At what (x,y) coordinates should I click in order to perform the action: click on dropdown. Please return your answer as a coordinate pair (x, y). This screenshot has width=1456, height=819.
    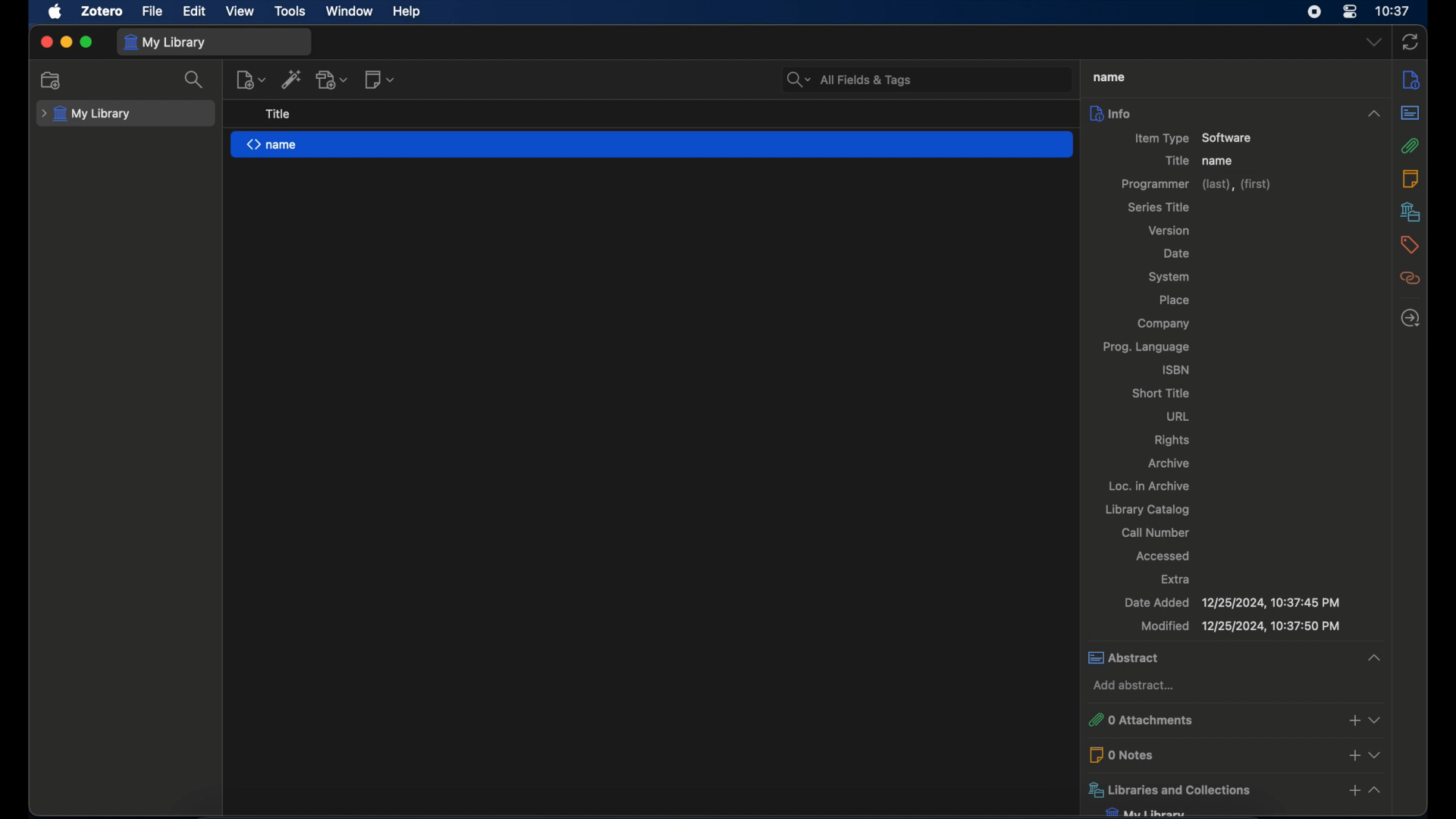
    Looking at the image, I should click on (1376, 754).